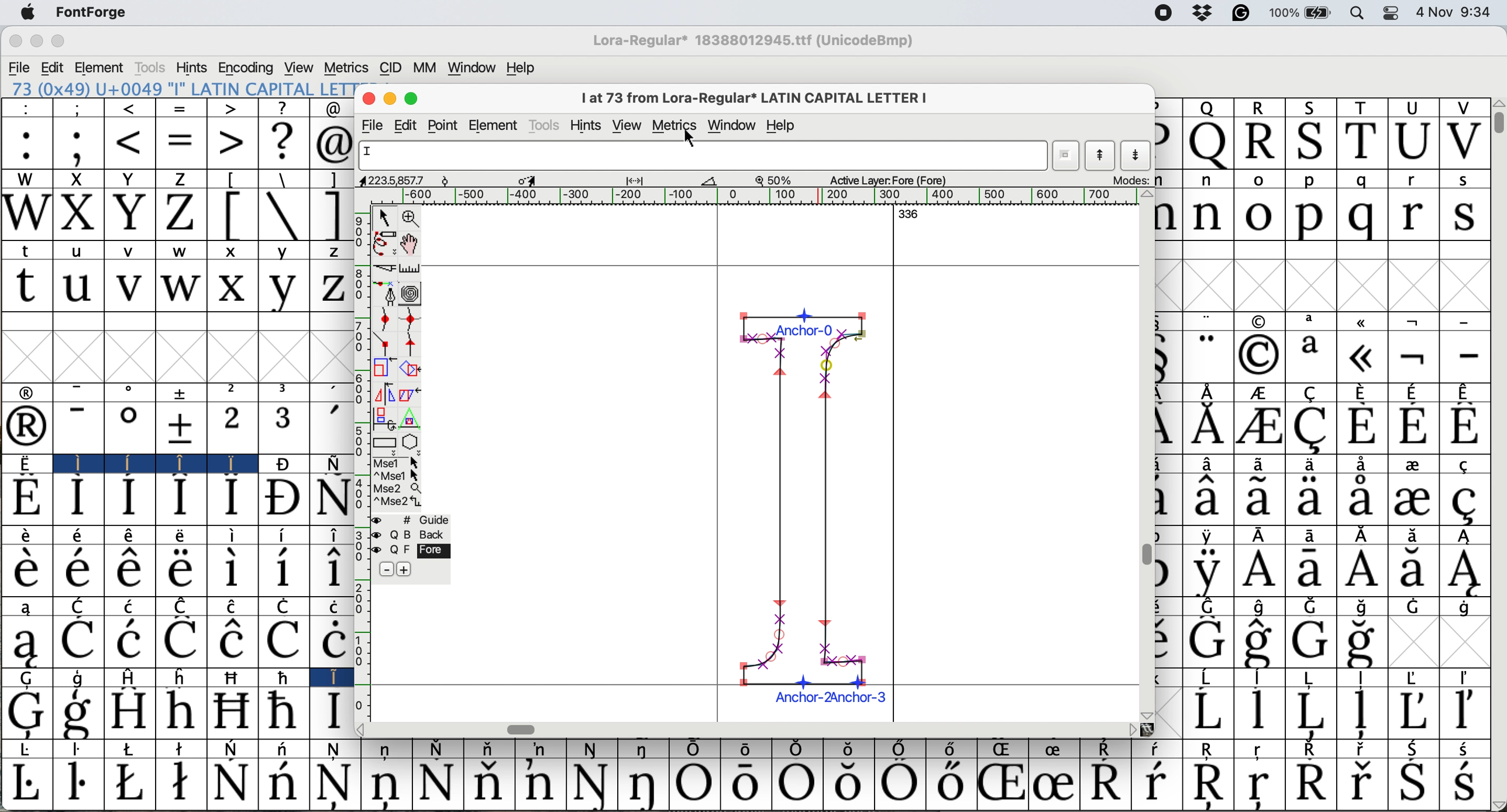  What do you see at coordinates (1466, 536) in the screenshot?
I see `Symbol` at bounding box center [1466, 536].